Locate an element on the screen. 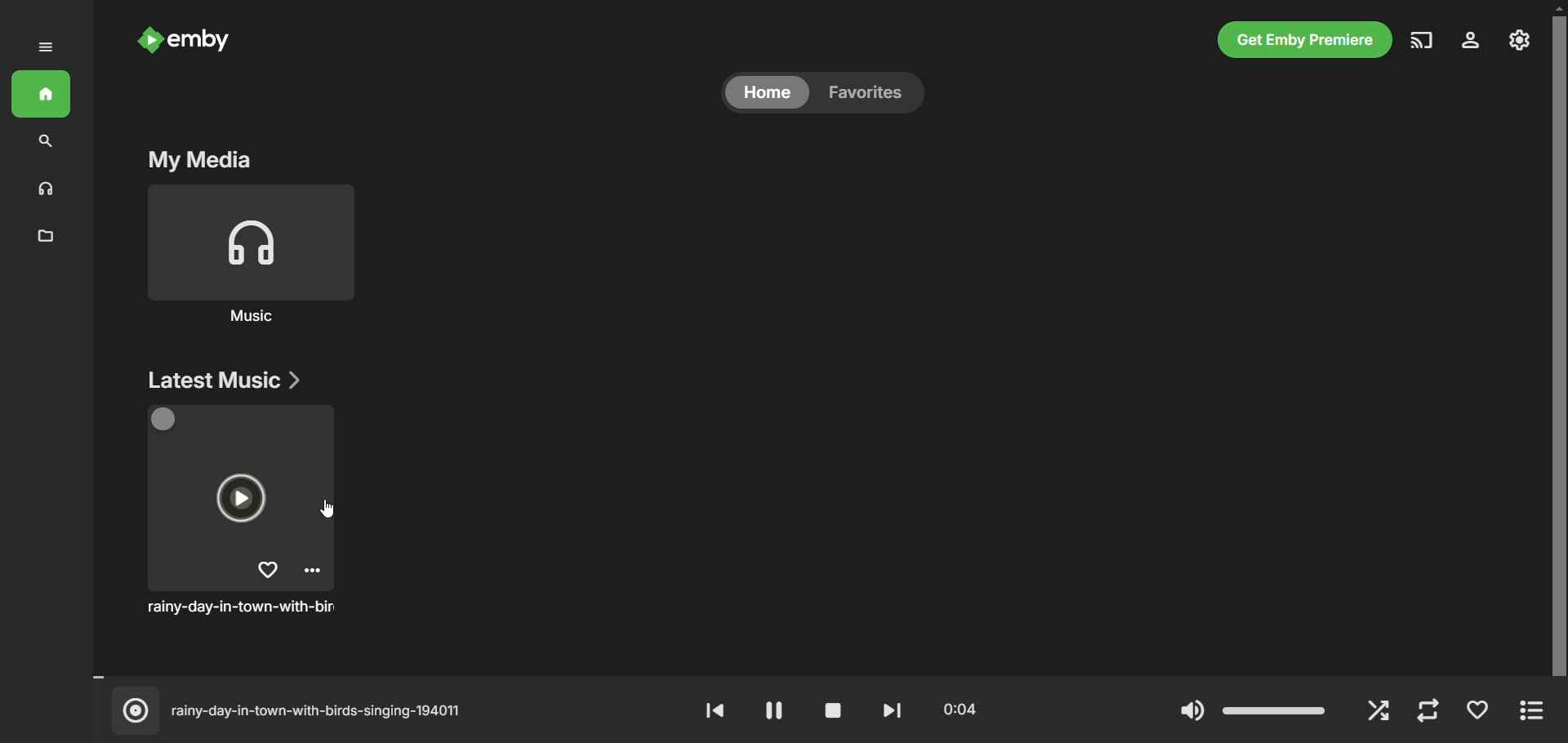 The height and width of the screenshot is (743, 1568). timeline is located at coordinates (807, 677).